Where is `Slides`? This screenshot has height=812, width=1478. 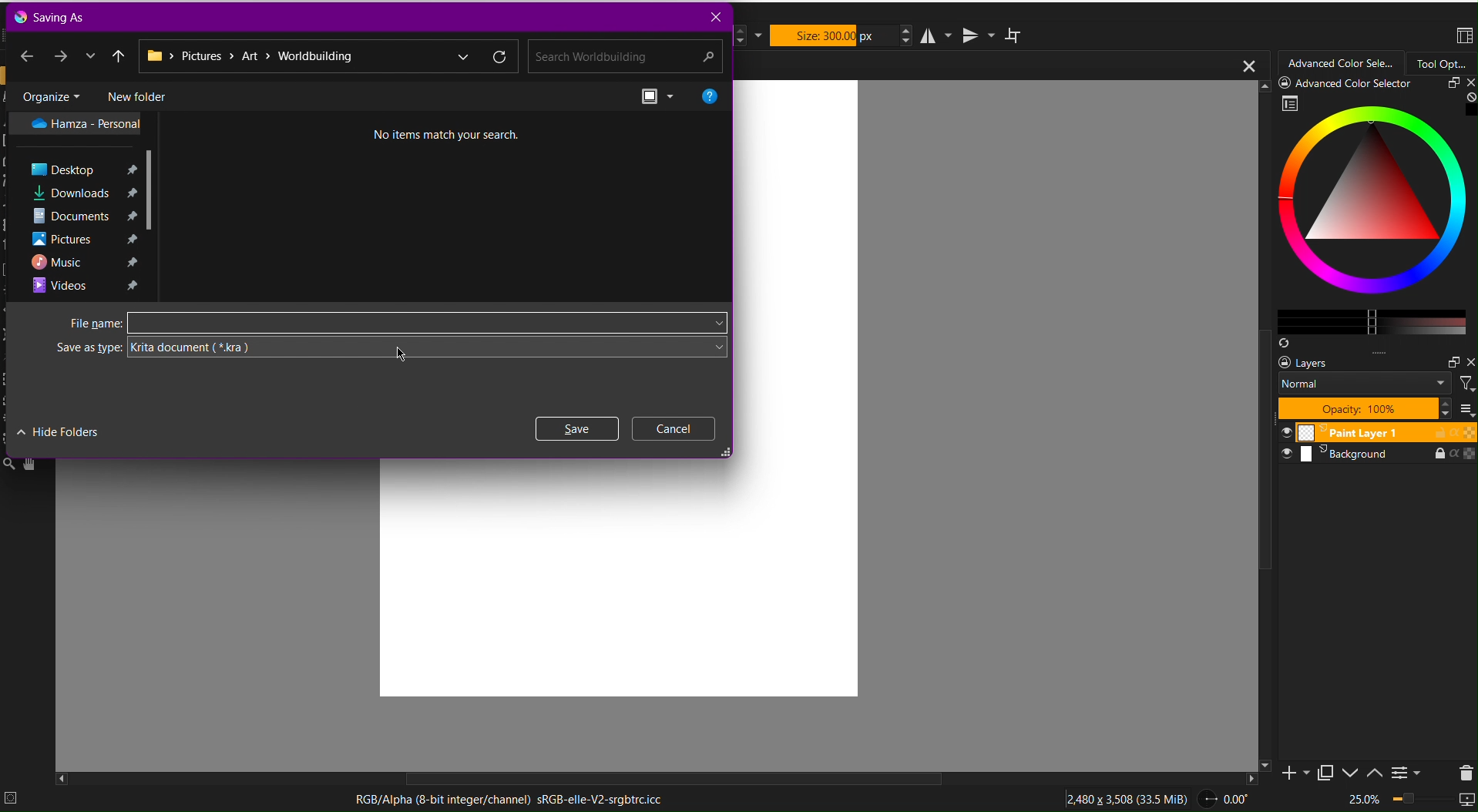
Slides is located at coordinates (1376, 444).